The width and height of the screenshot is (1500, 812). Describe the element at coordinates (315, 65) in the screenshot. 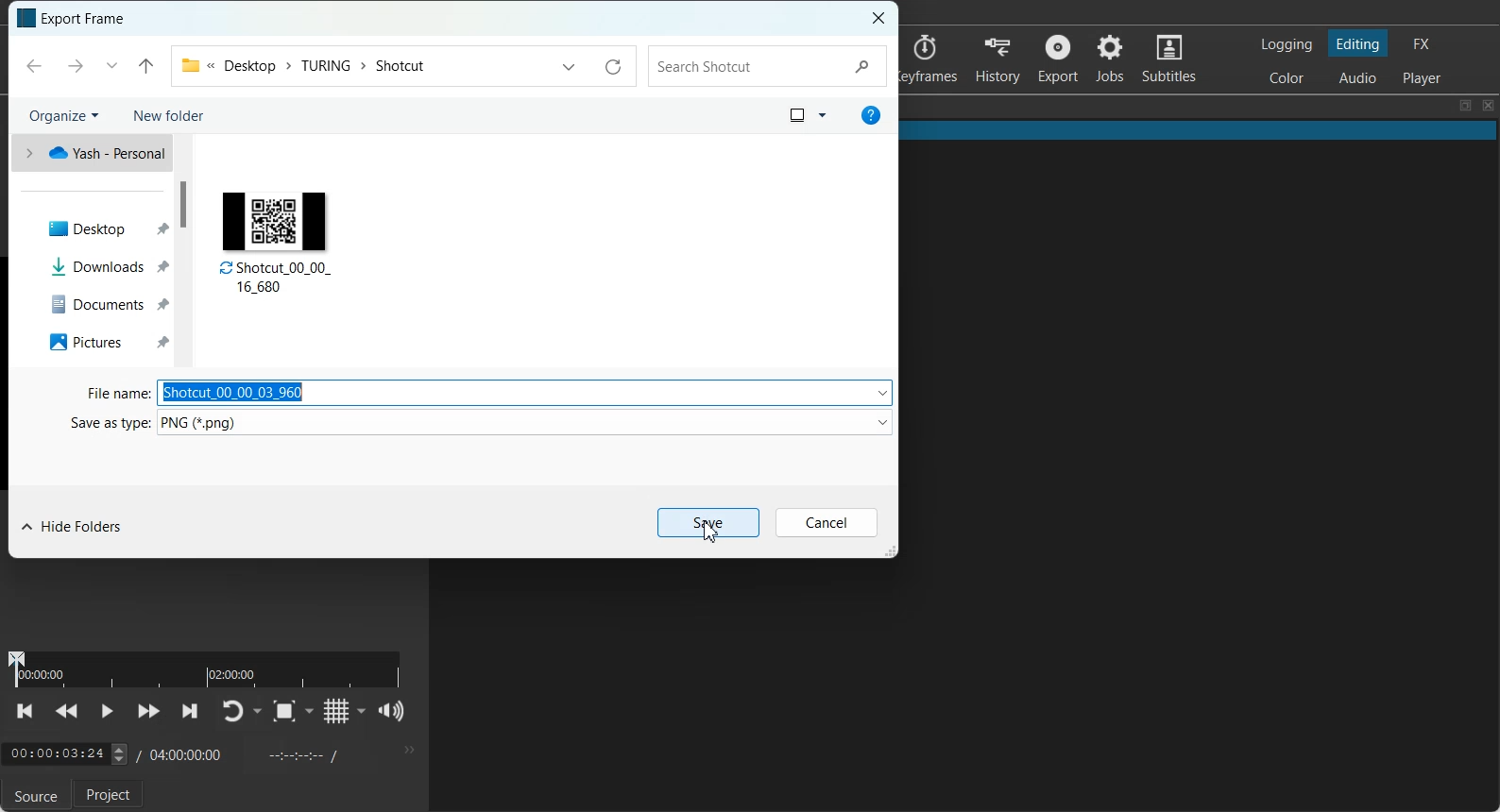

I see `path` at that location.